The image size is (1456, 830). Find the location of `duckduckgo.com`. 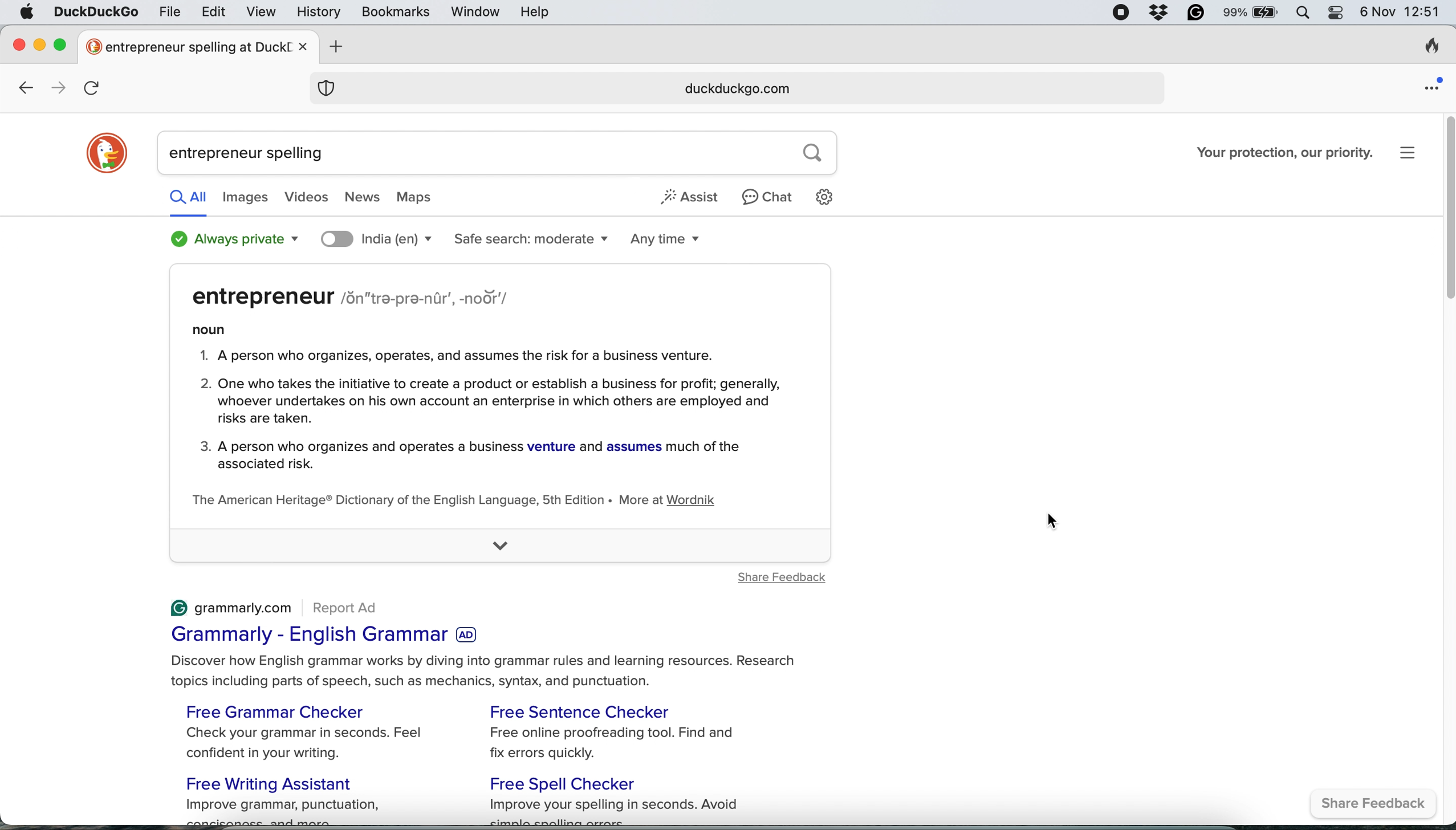

duckduckgo.com is located at coordinates (739, 87).